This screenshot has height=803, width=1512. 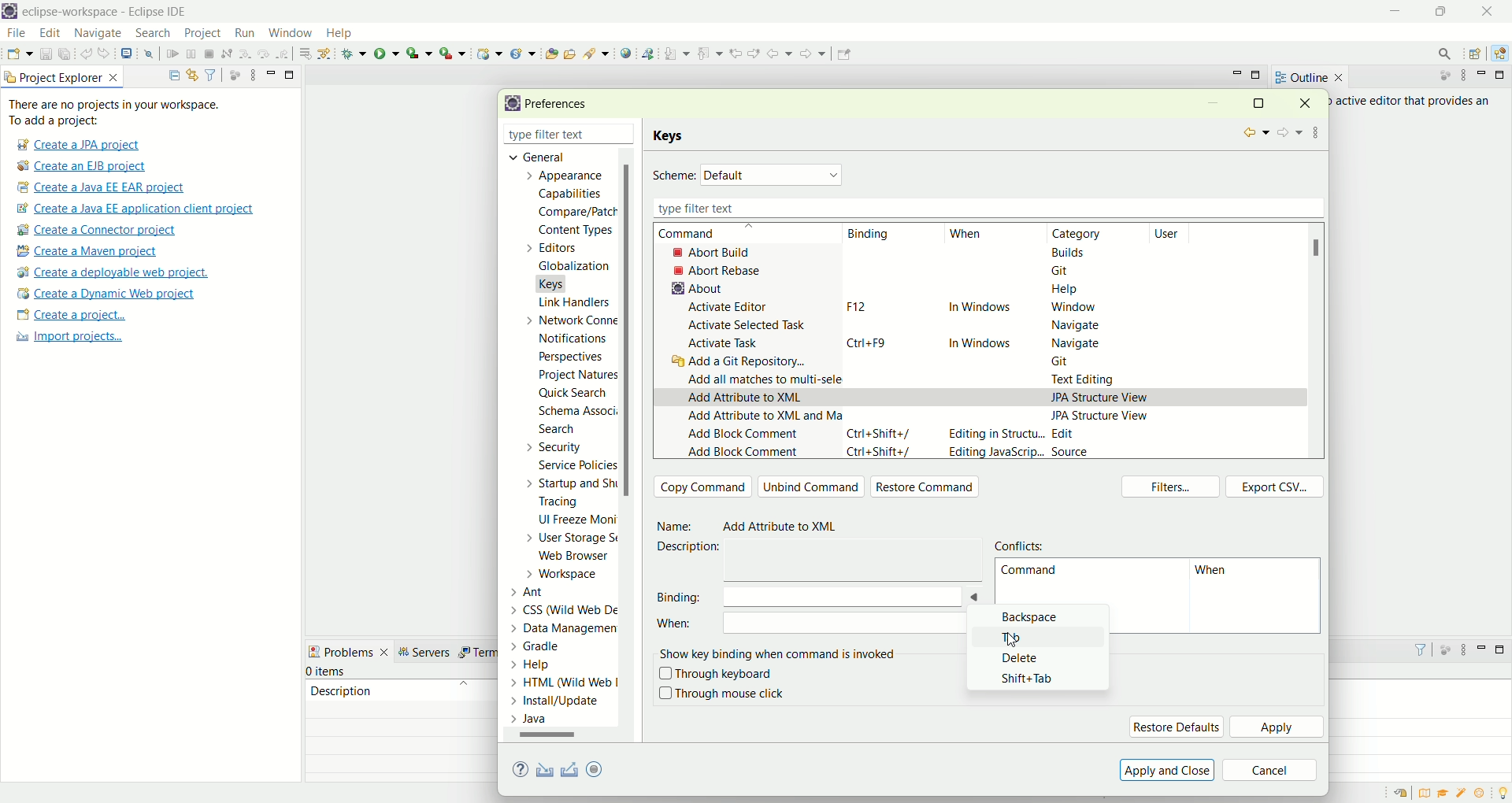 What do you see at coordinates (72, 316) in the screenshot?
I see `create a project` at bounding box center [72, 316].